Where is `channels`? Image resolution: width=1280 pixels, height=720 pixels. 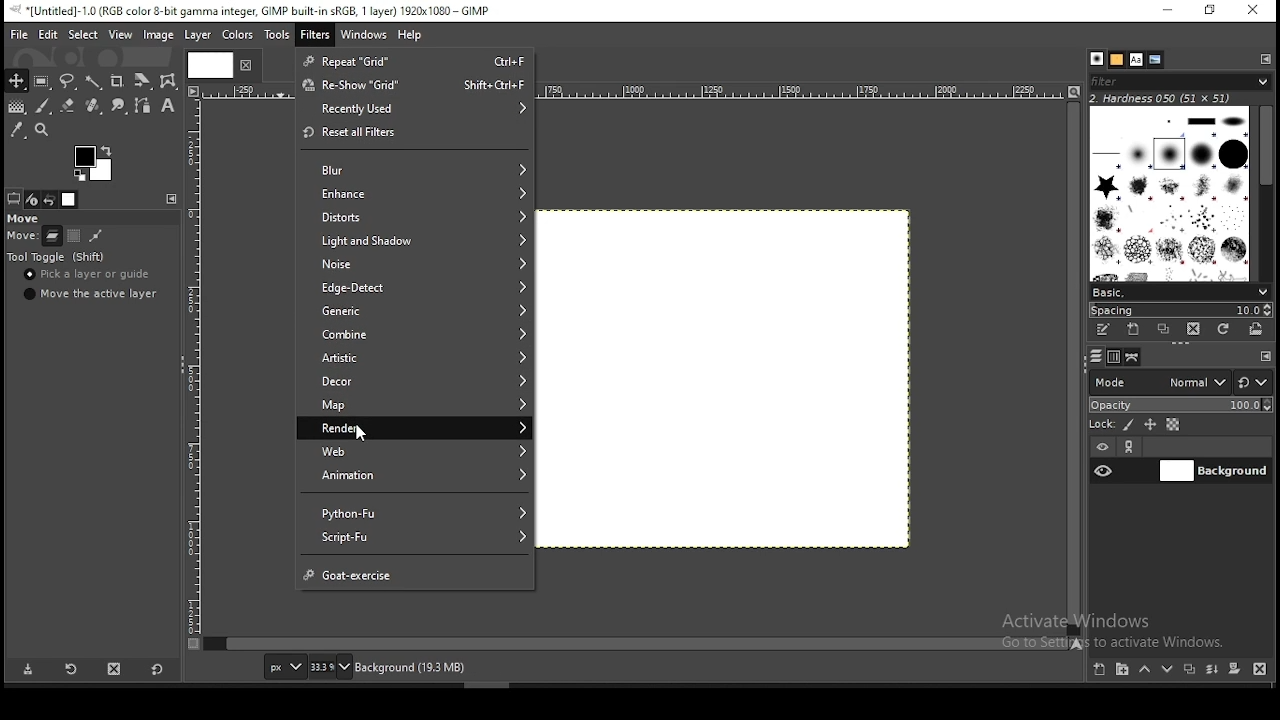 channels is located at coordinates (1116, 358).